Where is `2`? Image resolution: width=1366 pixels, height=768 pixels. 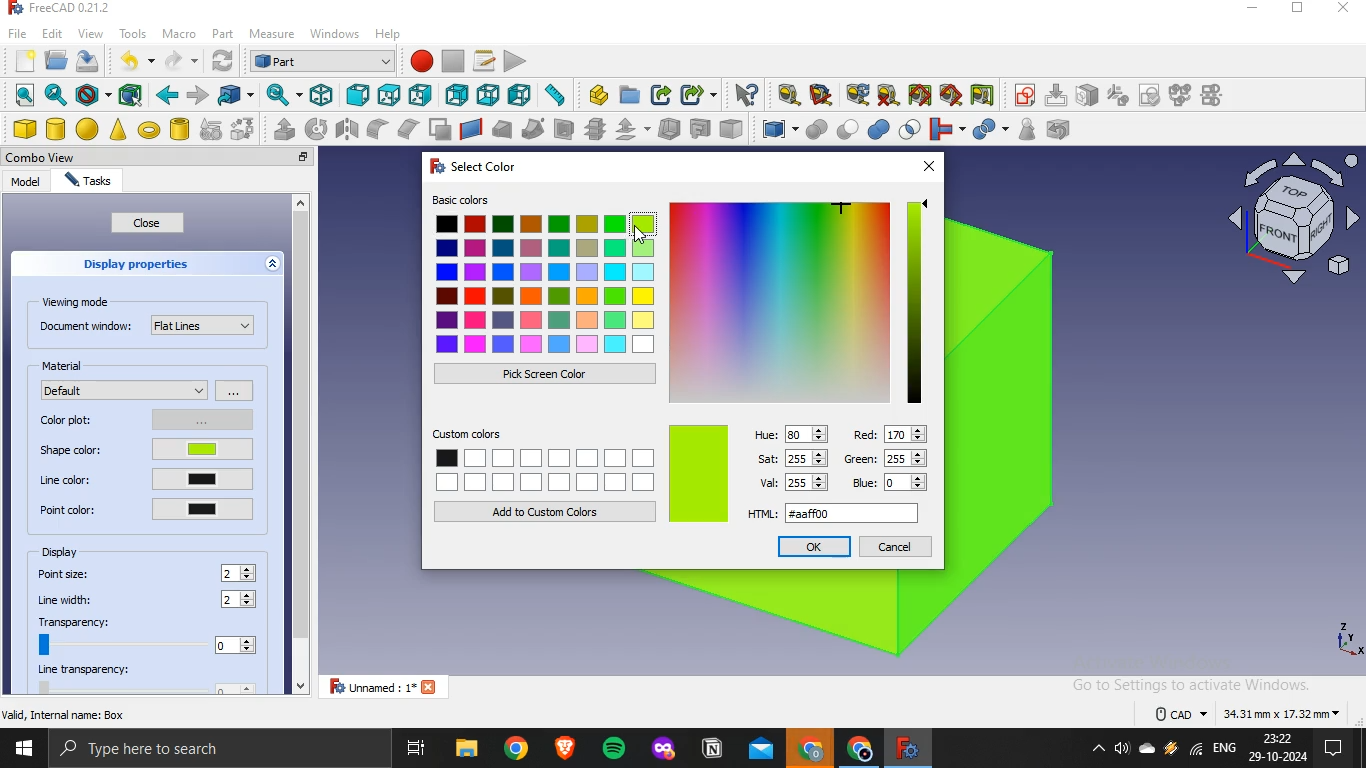
2 is located at coordinates (240, 600).